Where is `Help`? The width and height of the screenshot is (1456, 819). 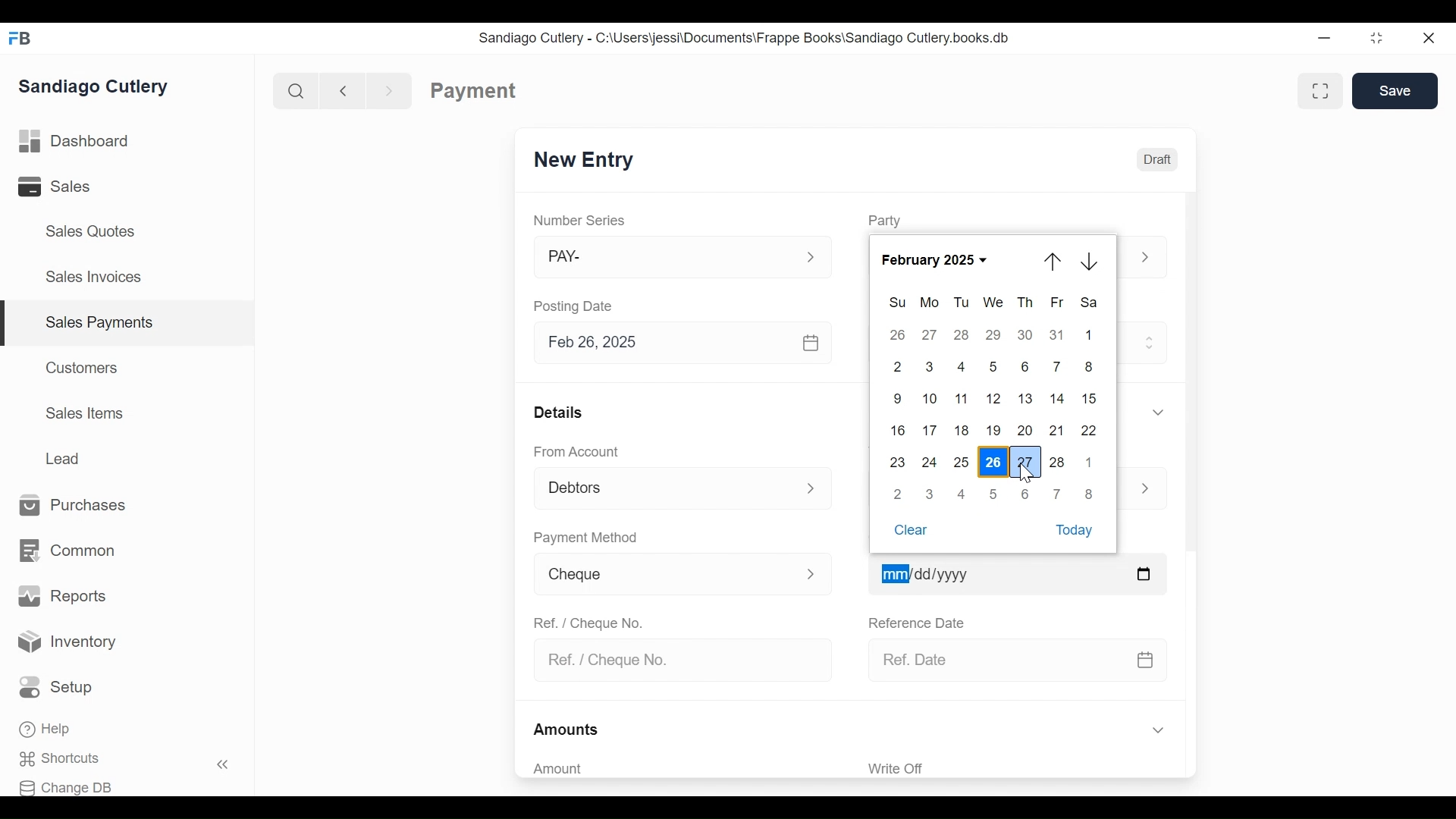
Help is located at coordinates (47, 730).